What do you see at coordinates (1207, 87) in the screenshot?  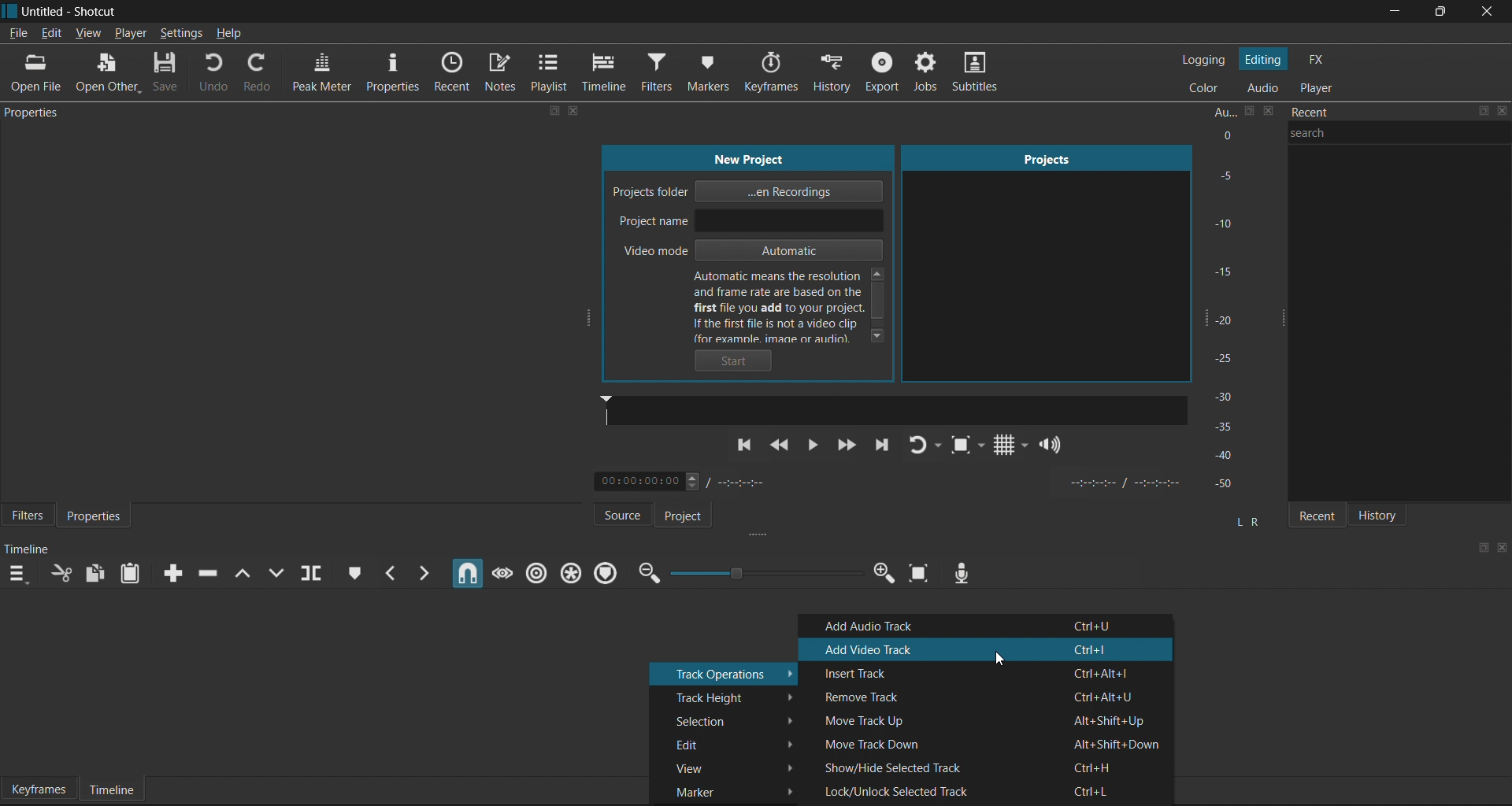 I see `Color` at bounding box center [1207, 87].